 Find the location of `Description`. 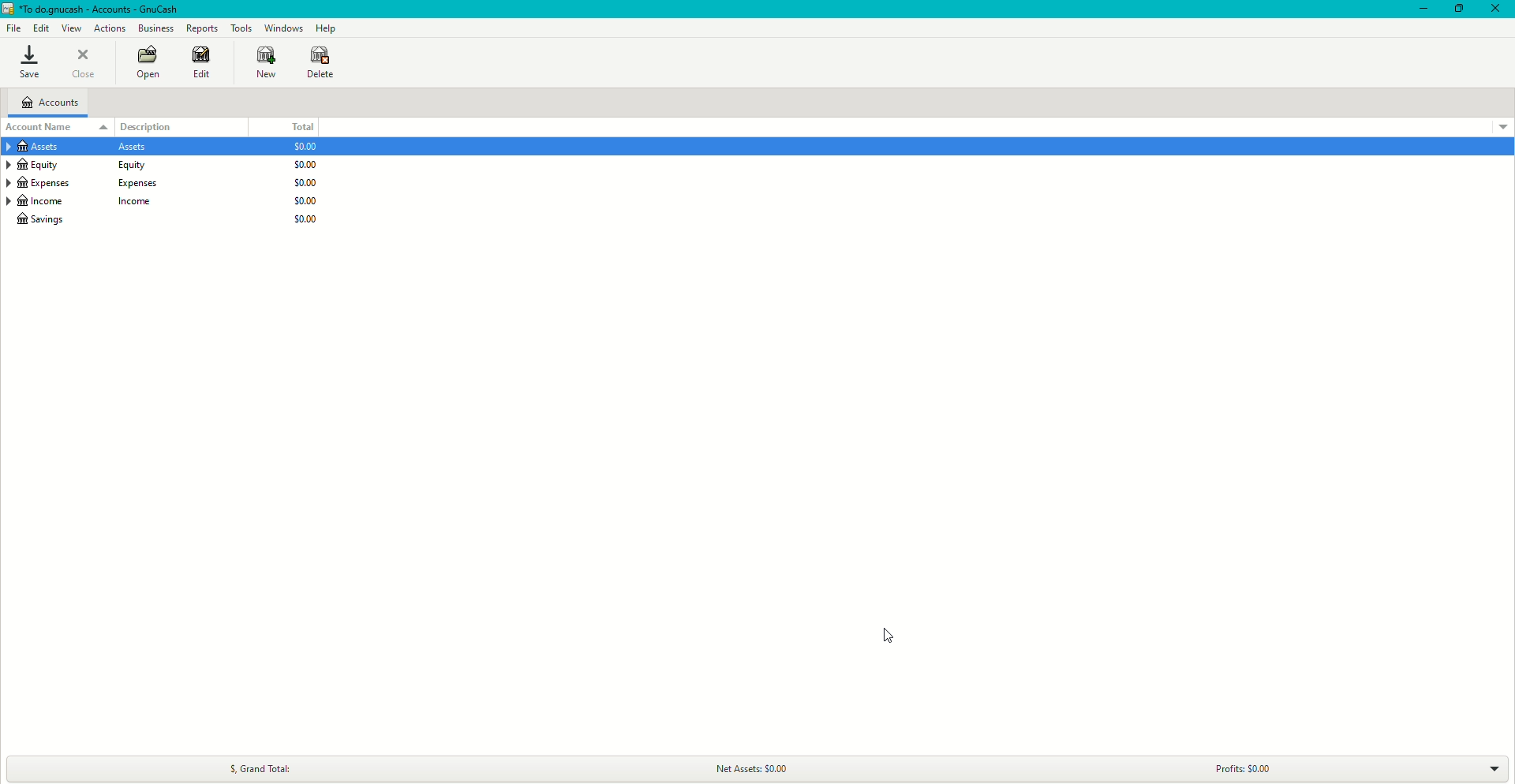

Description is located at coordinates (156, 125).